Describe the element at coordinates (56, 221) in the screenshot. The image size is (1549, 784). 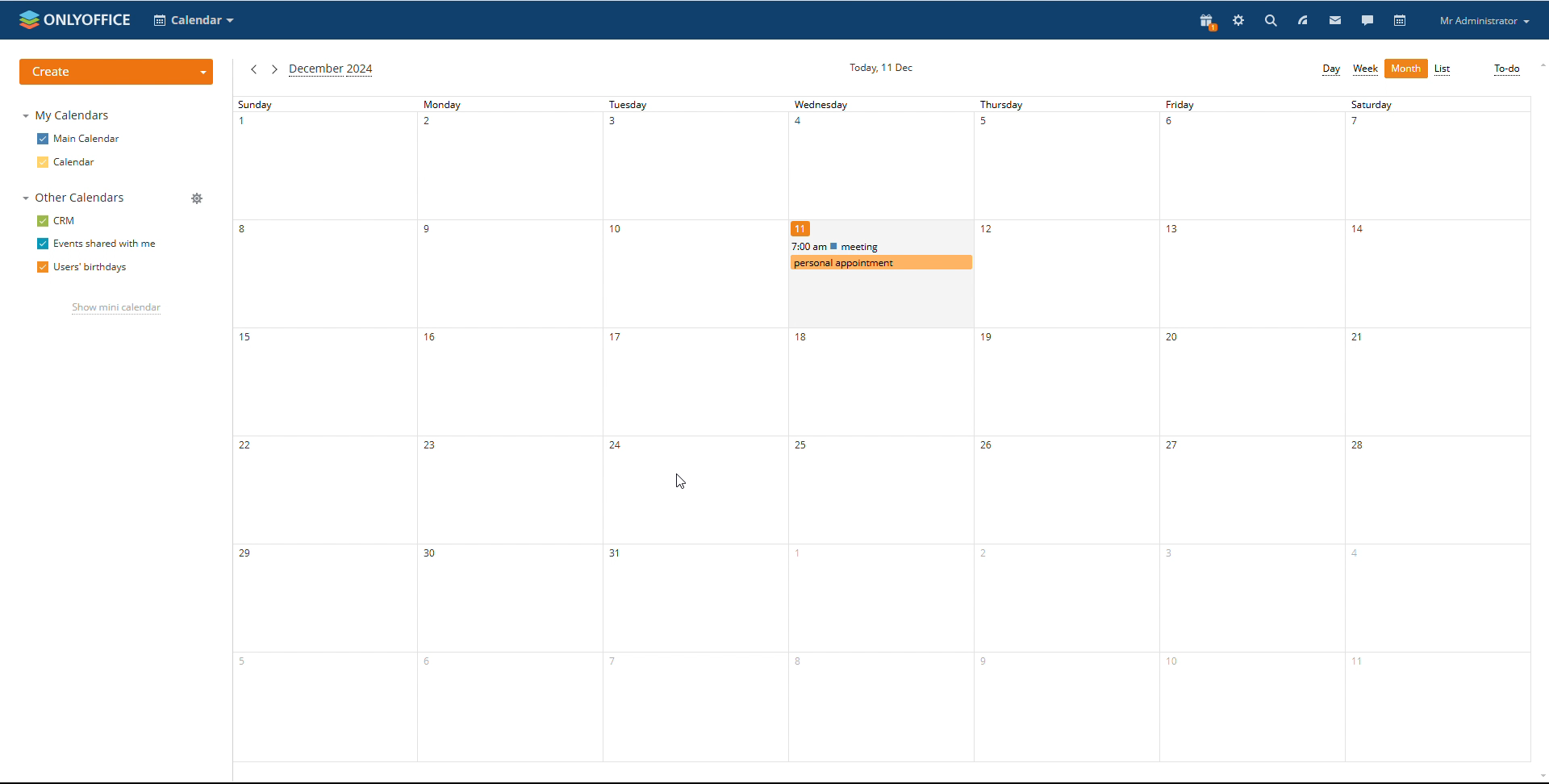
I see `crm` at that location.